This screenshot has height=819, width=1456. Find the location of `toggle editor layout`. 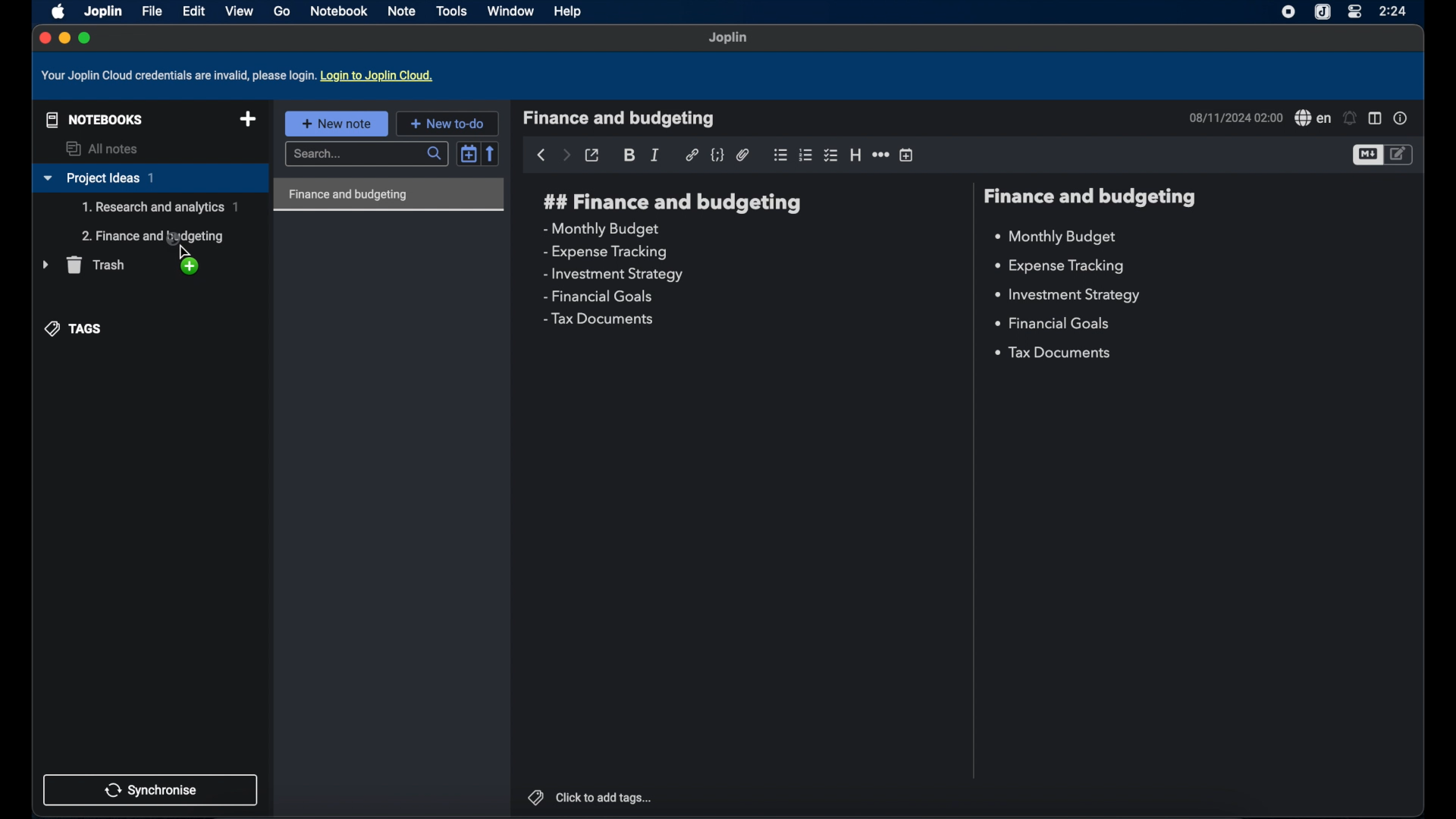

toggle editor layout is located at coordinates (1375, 119).